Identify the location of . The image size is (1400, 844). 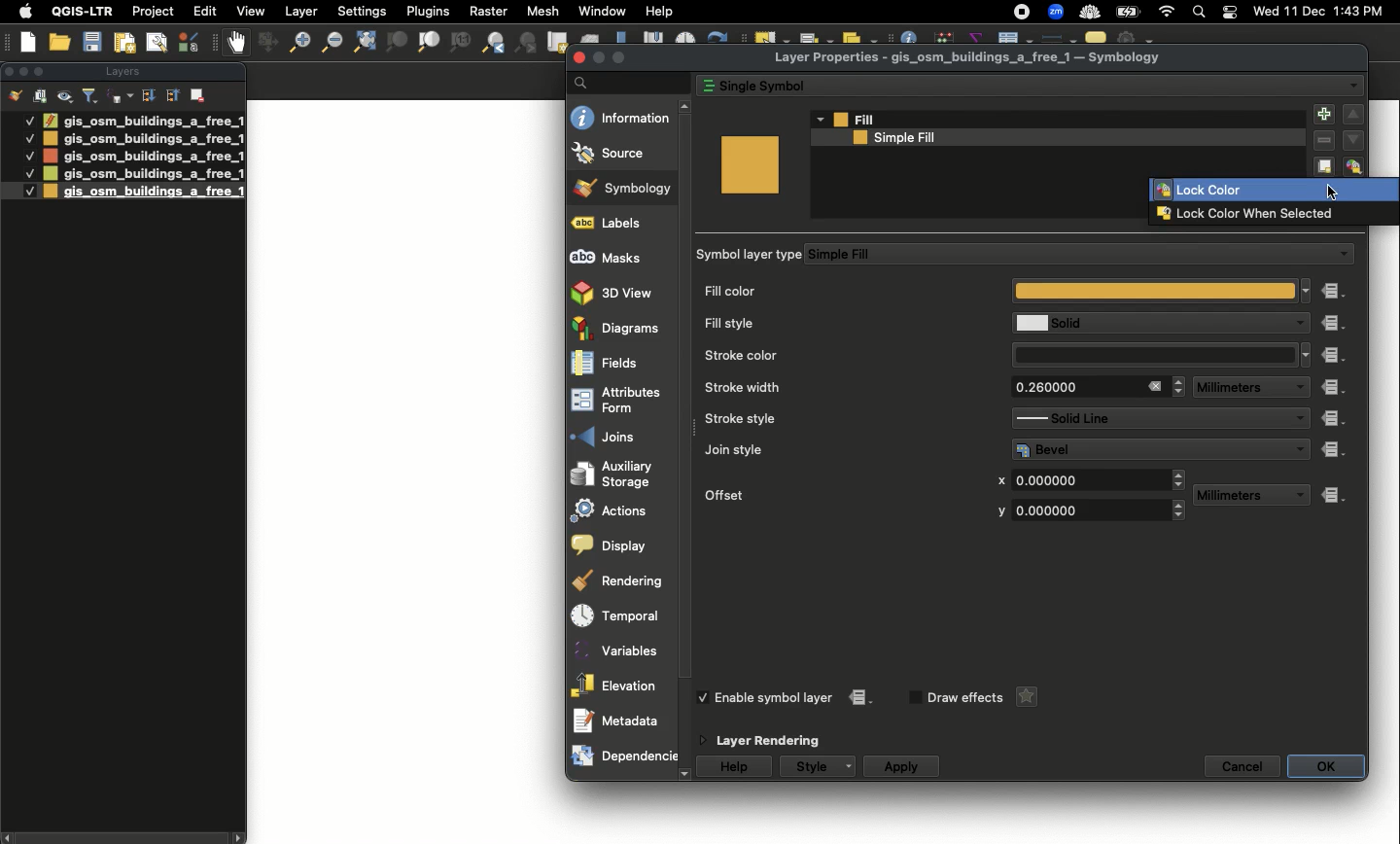
(1335, 325).